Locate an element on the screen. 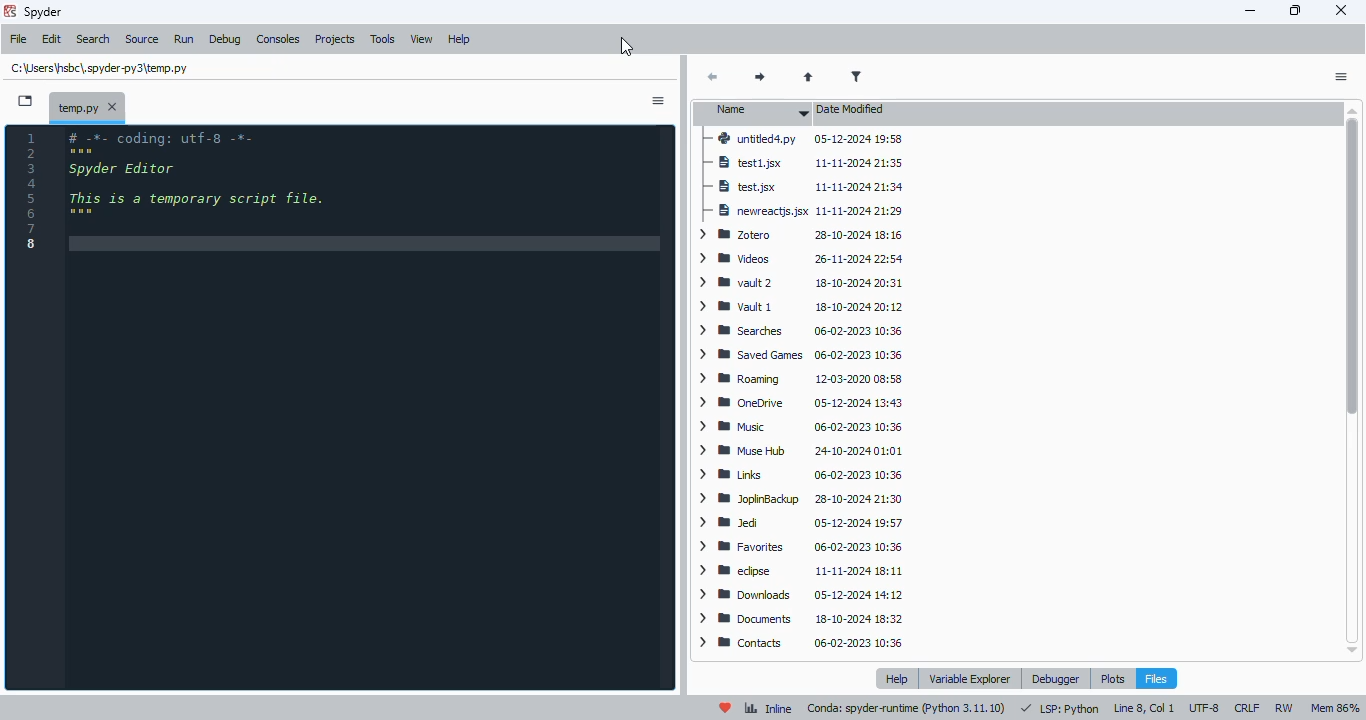 The width and height of the screenshot is (1366, 720). temporary file is located at coordinates (98, 68).